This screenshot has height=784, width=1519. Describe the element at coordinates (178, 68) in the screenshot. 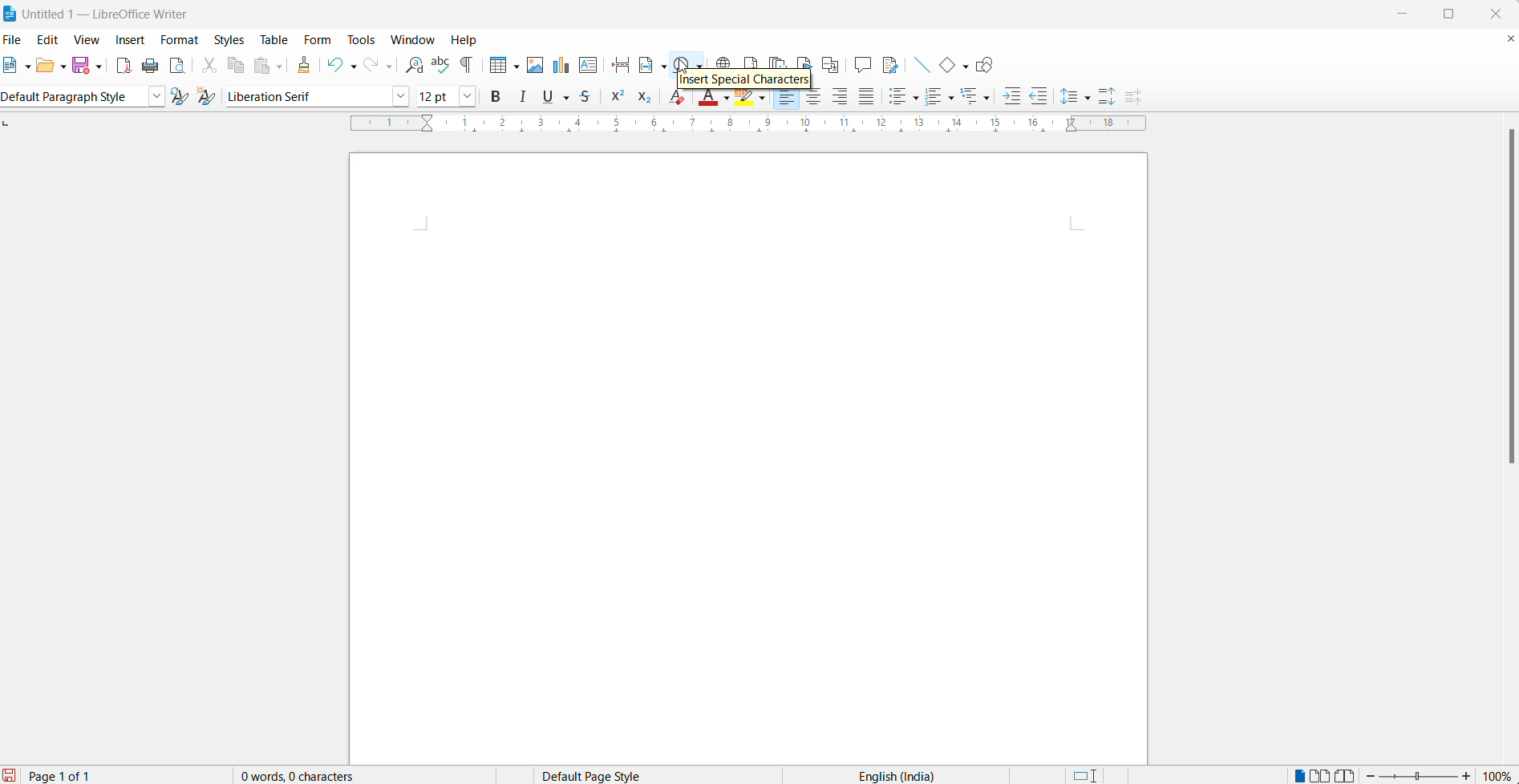

I see `print preview` at that location.